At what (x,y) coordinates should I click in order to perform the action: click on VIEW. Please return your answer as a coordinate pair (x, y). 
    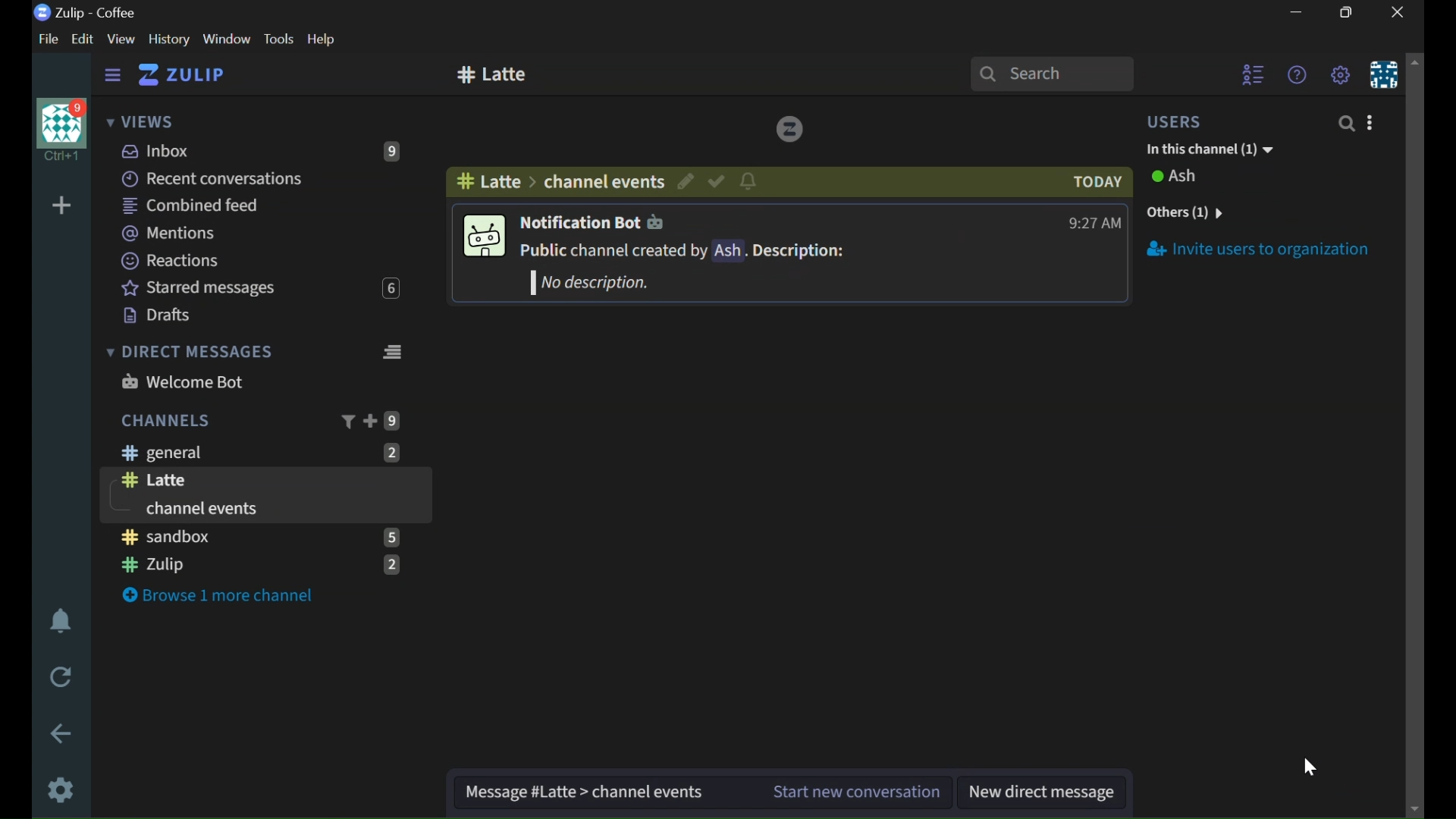
    Looking at the image, I should click on (120, 39).